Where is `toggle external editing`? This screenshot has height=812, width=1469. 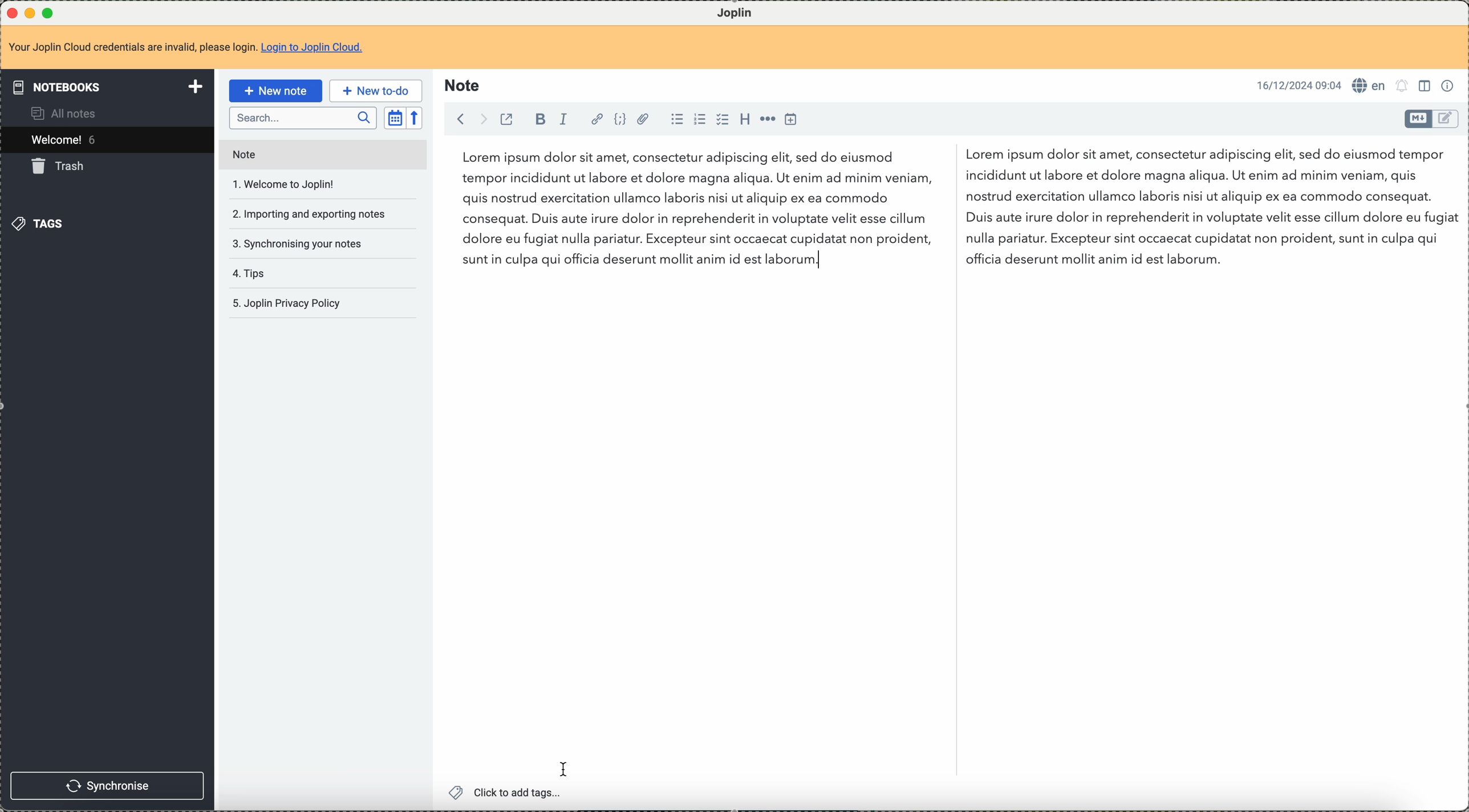
toggle external editing is located at coordinates (506, 120).